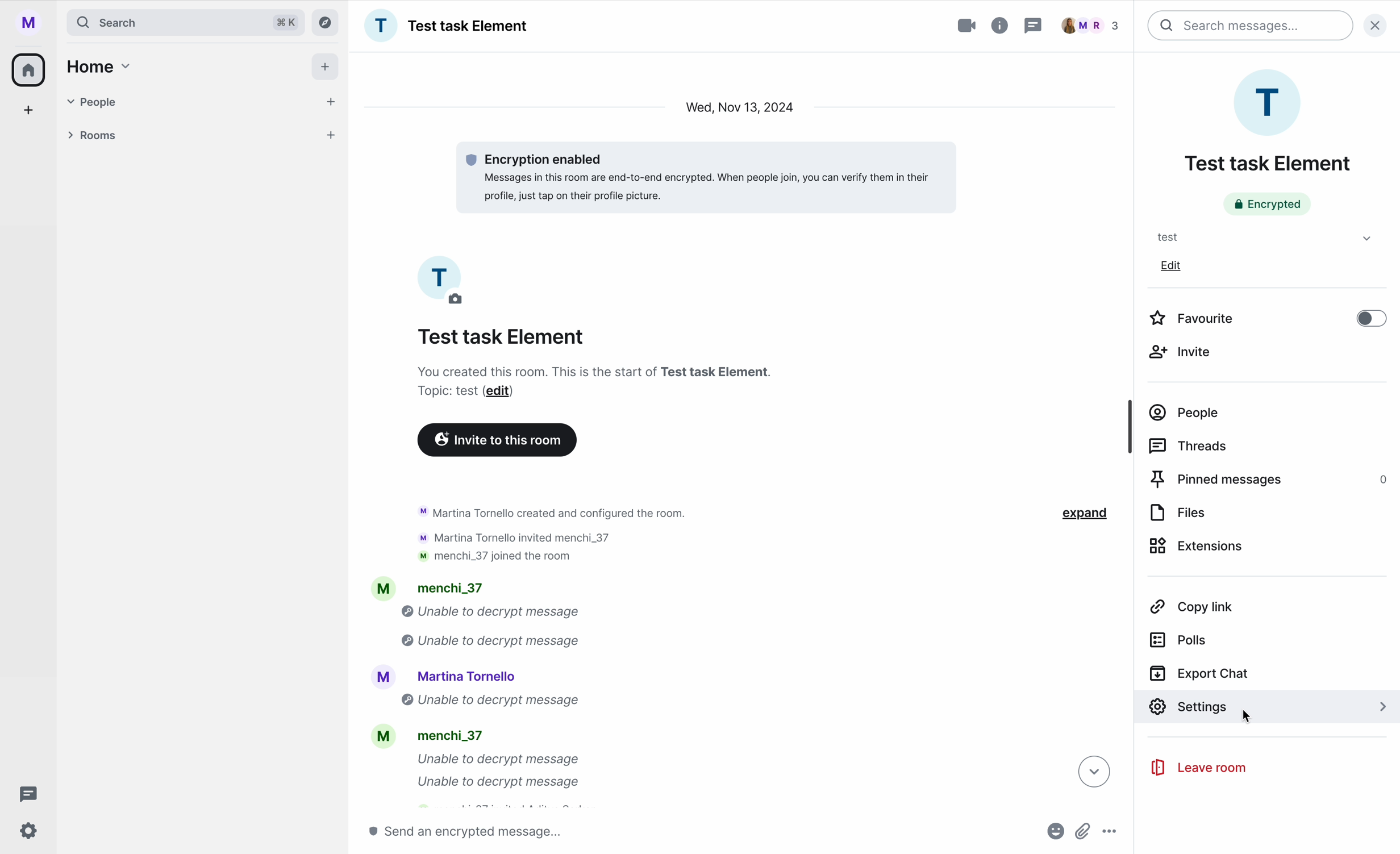 The height and width of the screenshot is (854, 1400). What do you see at coordinates (472, 832) in the screenshot?
I see `send message` at bounding box center [472, 832].